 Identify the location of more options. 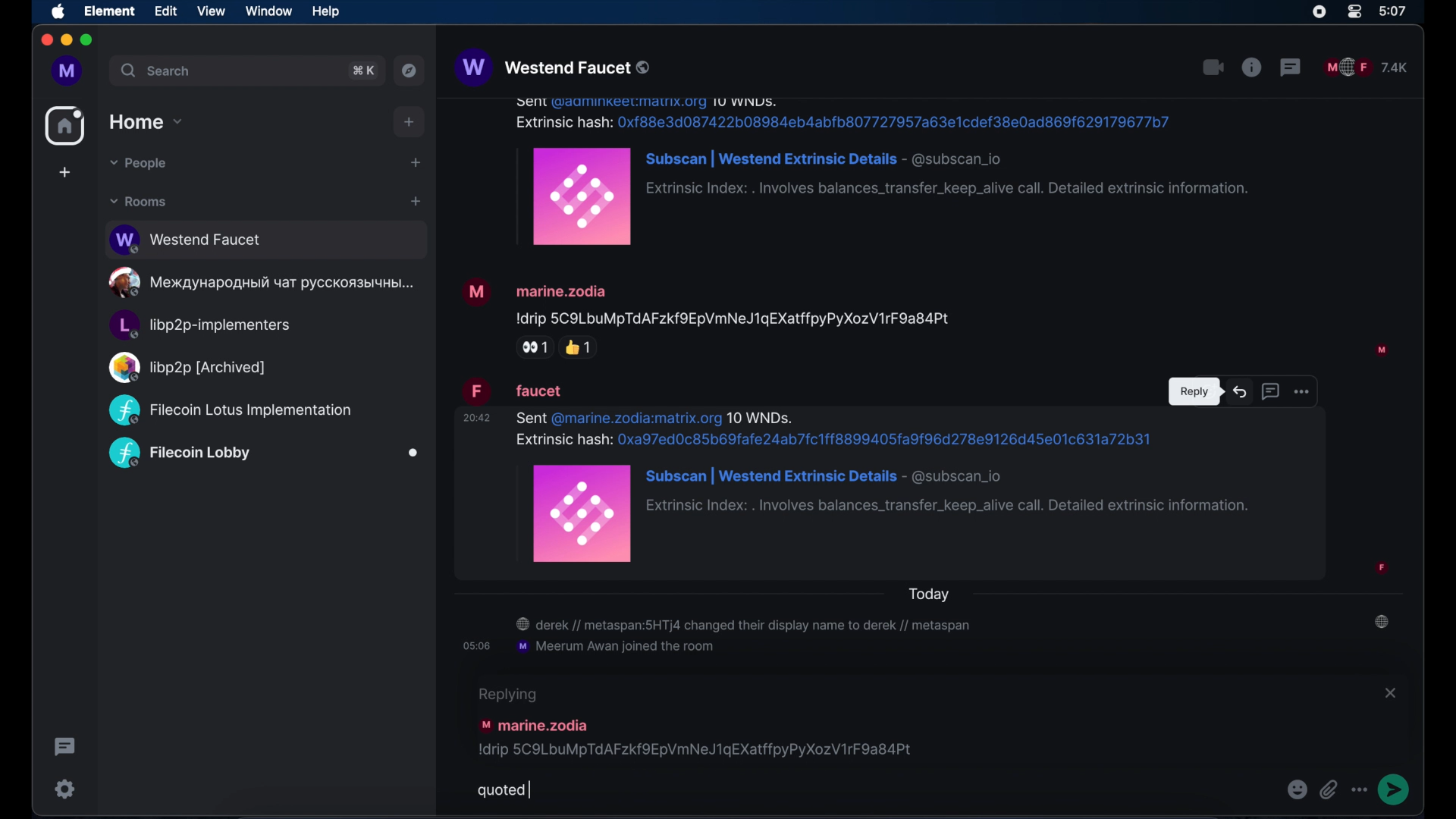
(1302, 390).